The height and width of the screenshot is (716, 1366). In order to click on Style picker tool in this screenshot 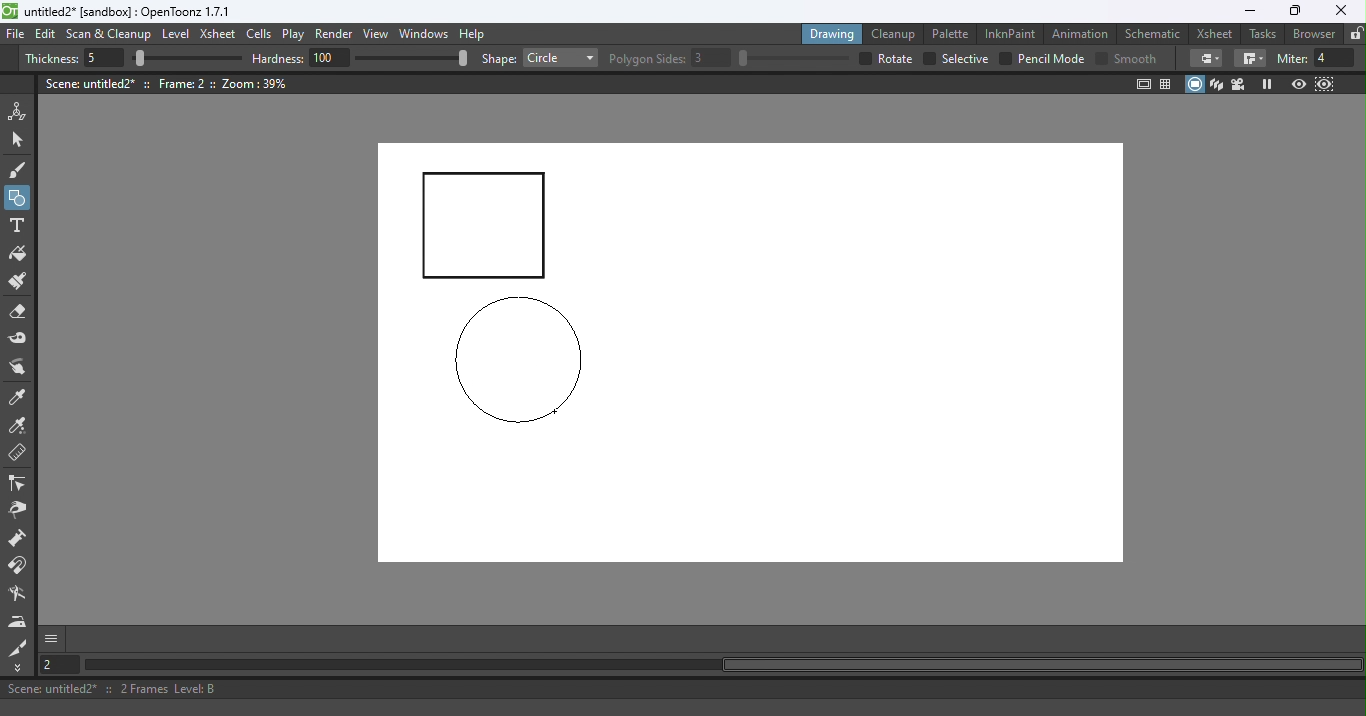, I will do `click(19, 398)`.